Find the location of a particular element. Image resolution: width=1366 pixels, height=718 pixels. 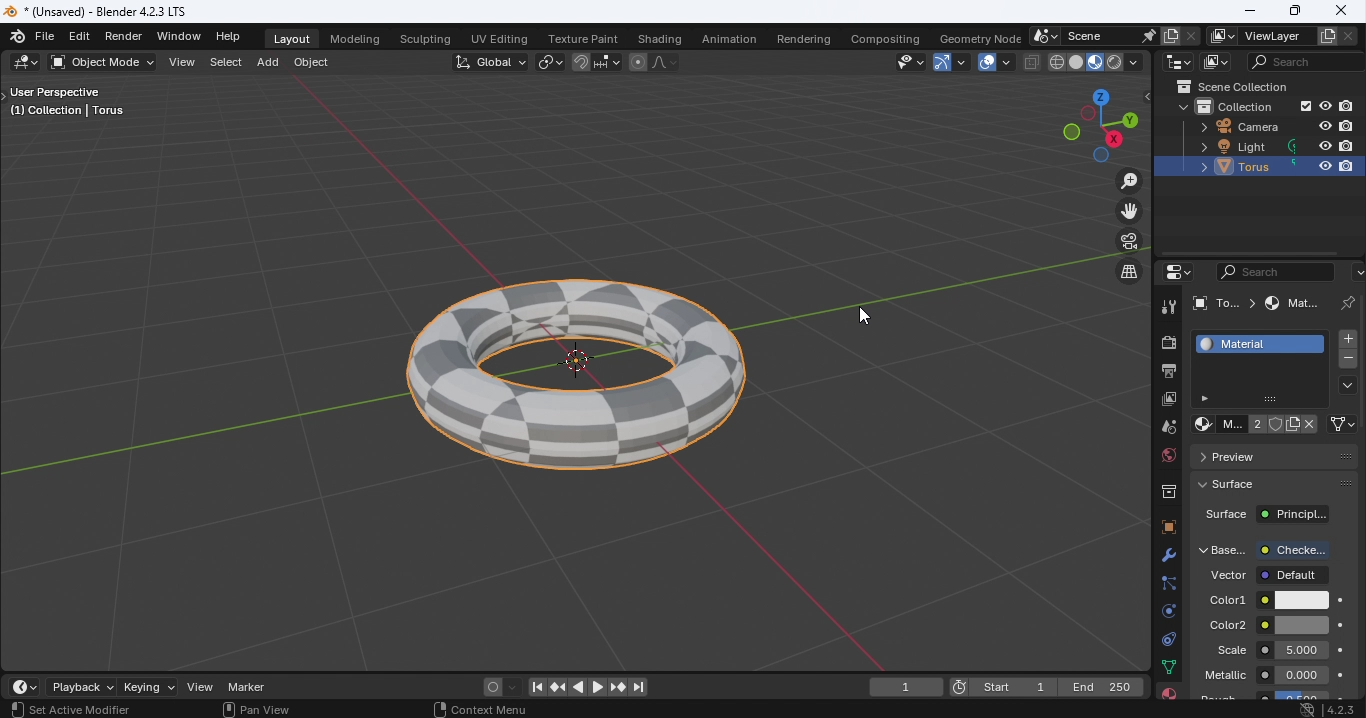

Playback is located at coordinates (81, 687).